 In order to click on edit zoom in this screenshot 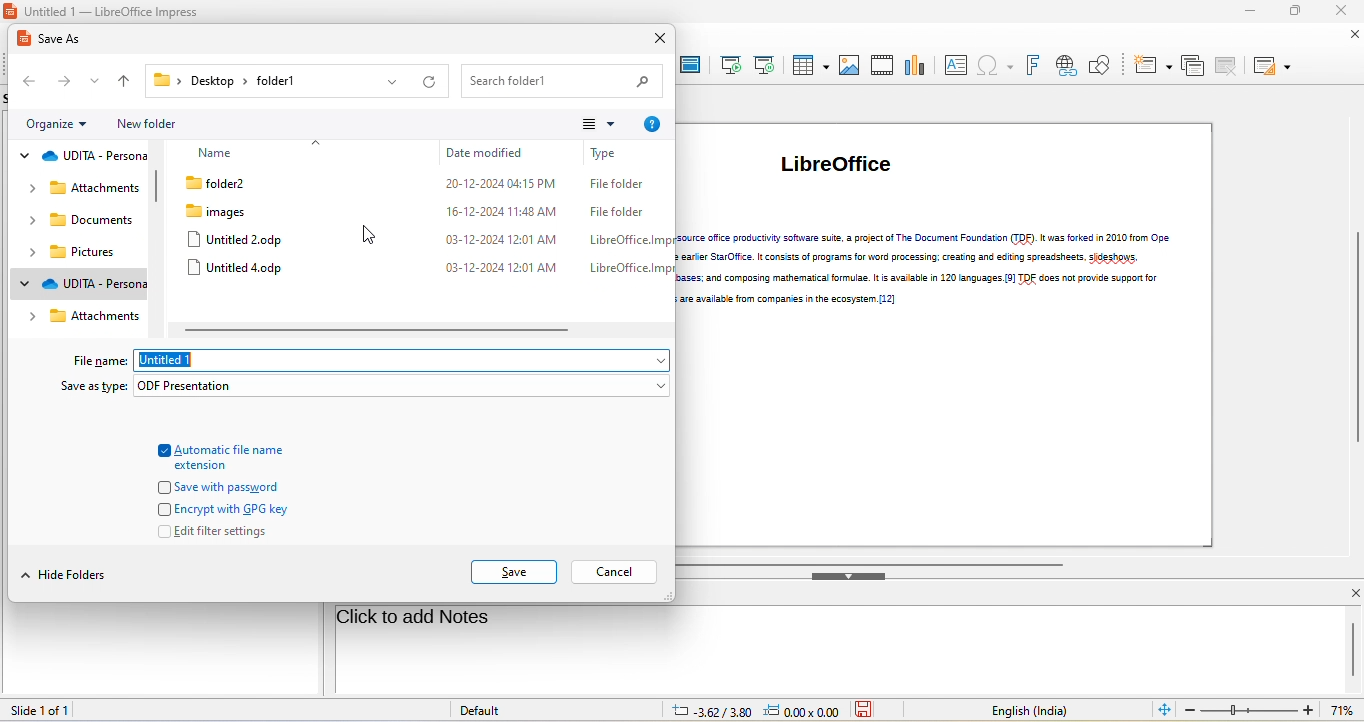, I will do `click(1249, 711)`.